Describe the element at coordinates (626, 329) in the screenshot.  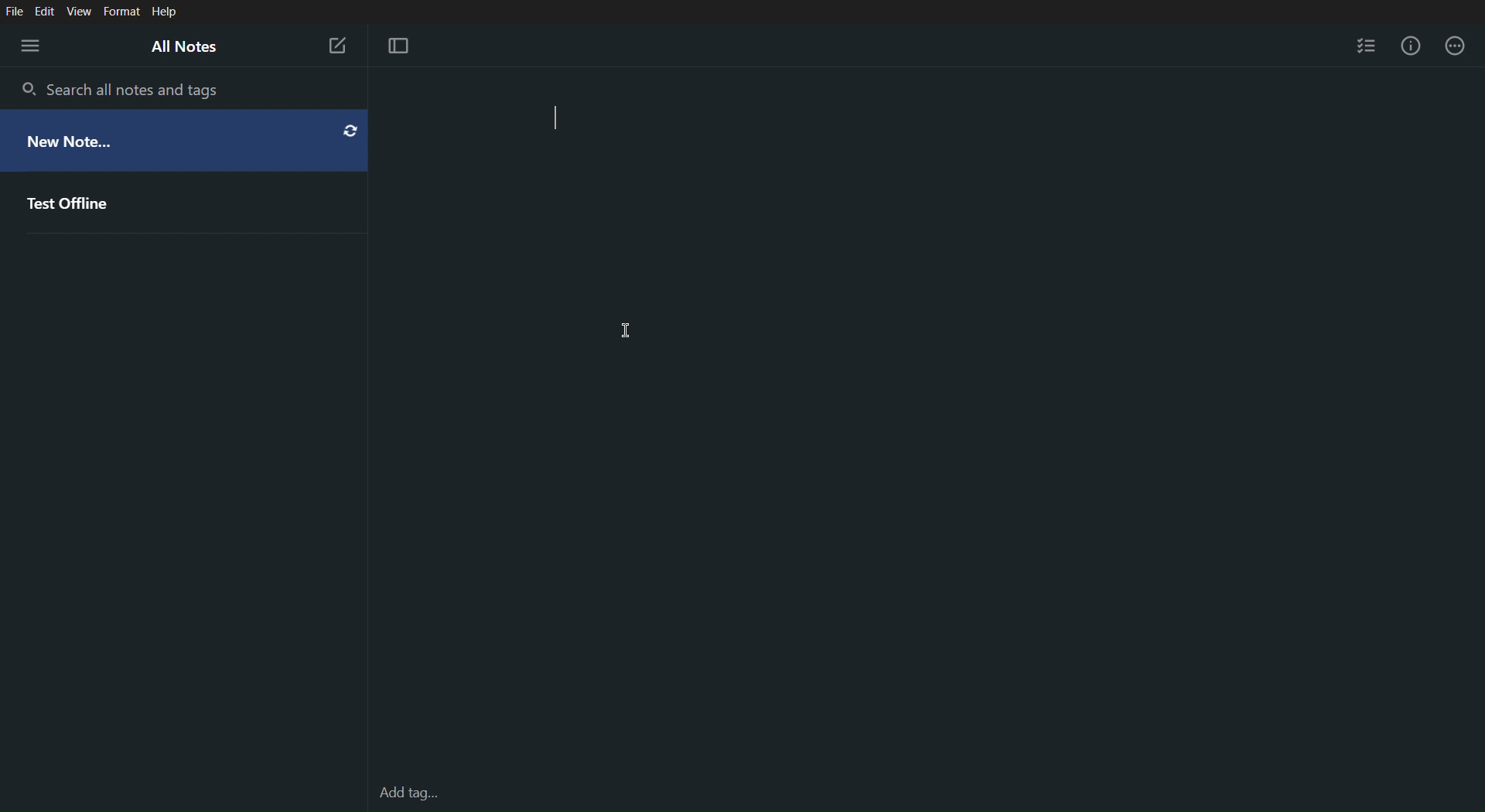
I see `Cursor` at that location.